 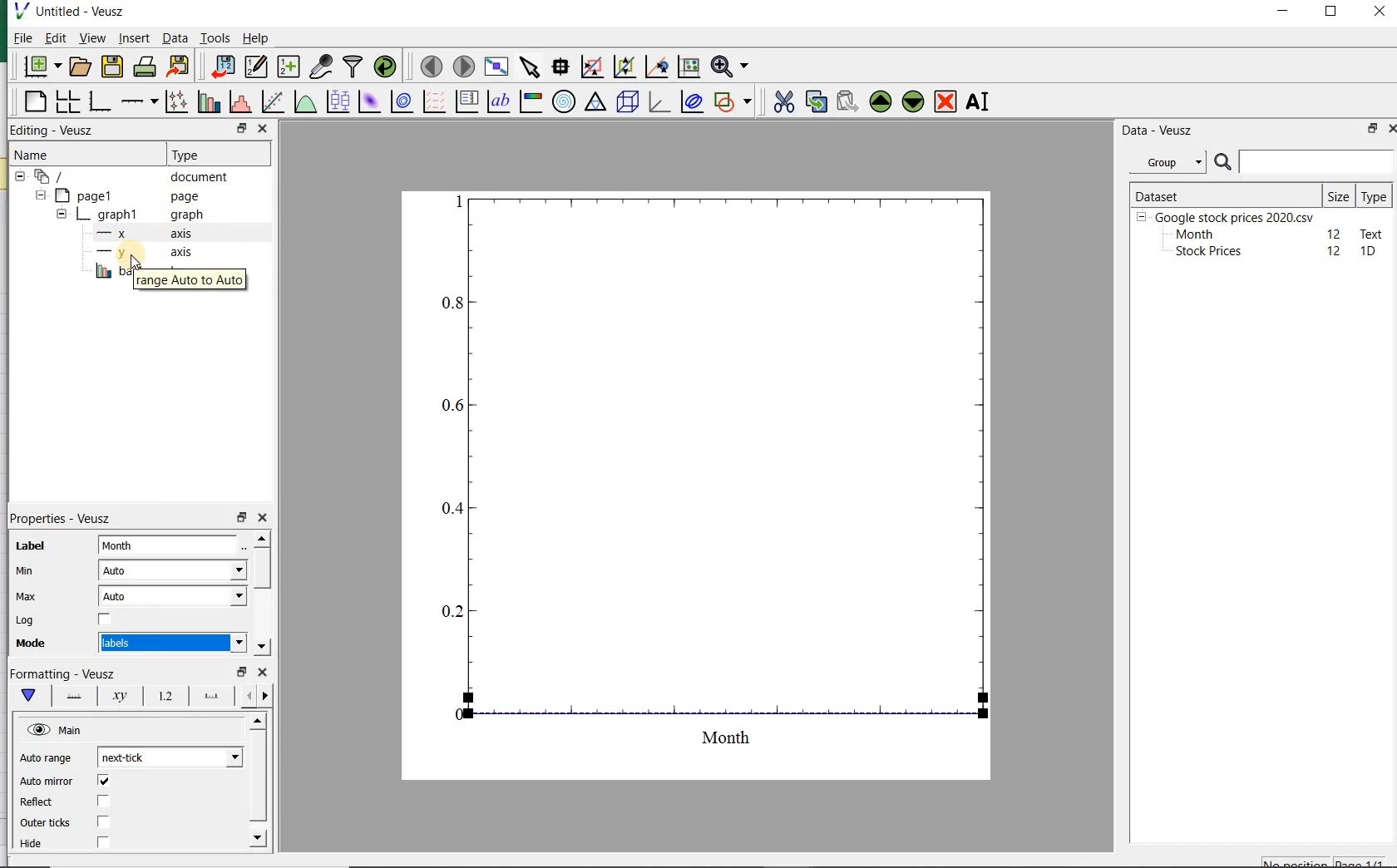 What do you see at coordinates (1370, 252) in the screenshot?
I see `1D` at bounding box center [1370, 252].